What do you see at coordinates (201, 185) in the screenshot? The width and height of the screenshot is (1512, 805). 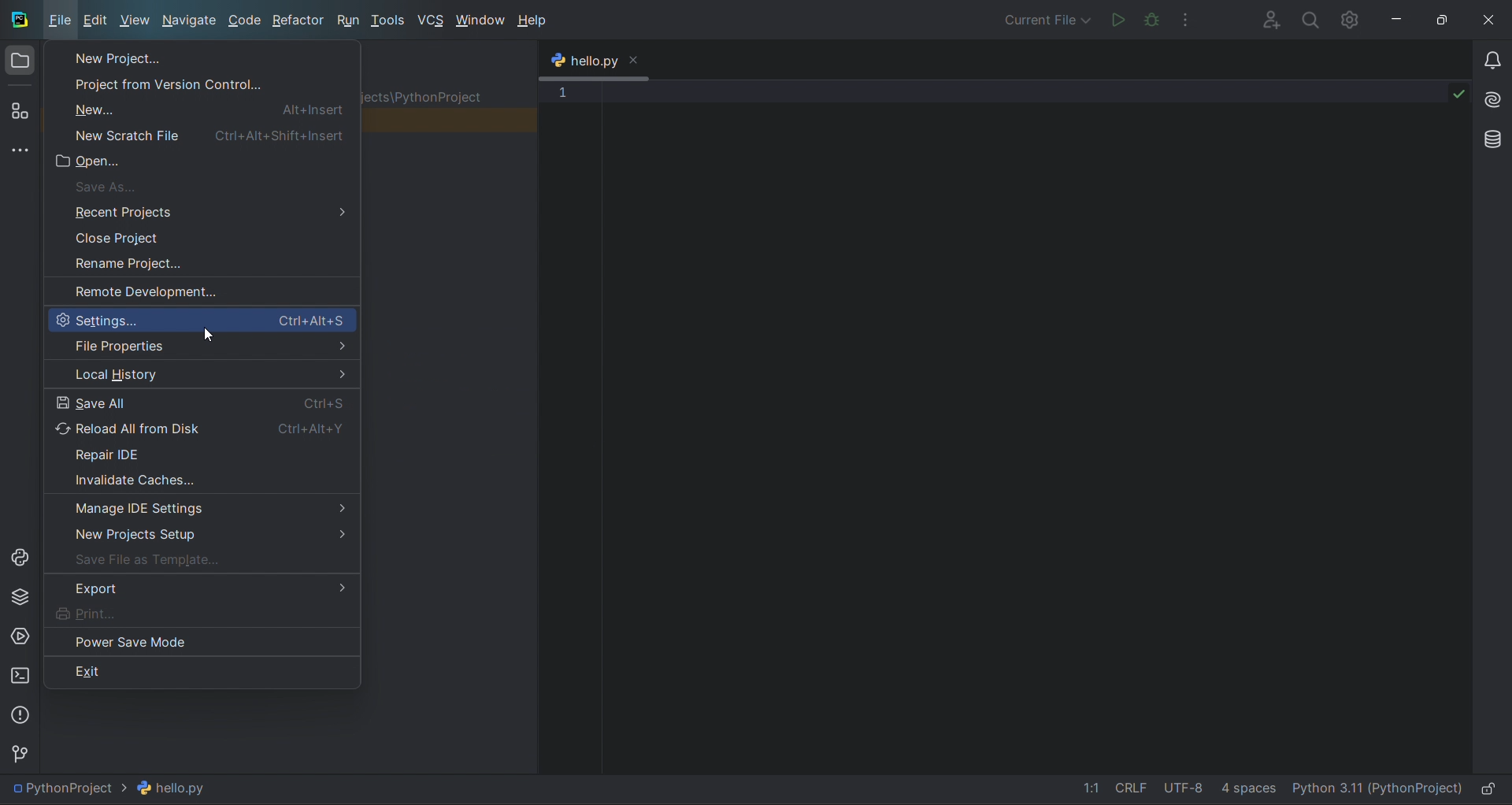 I see `save as` at bounding box center [201, 185].